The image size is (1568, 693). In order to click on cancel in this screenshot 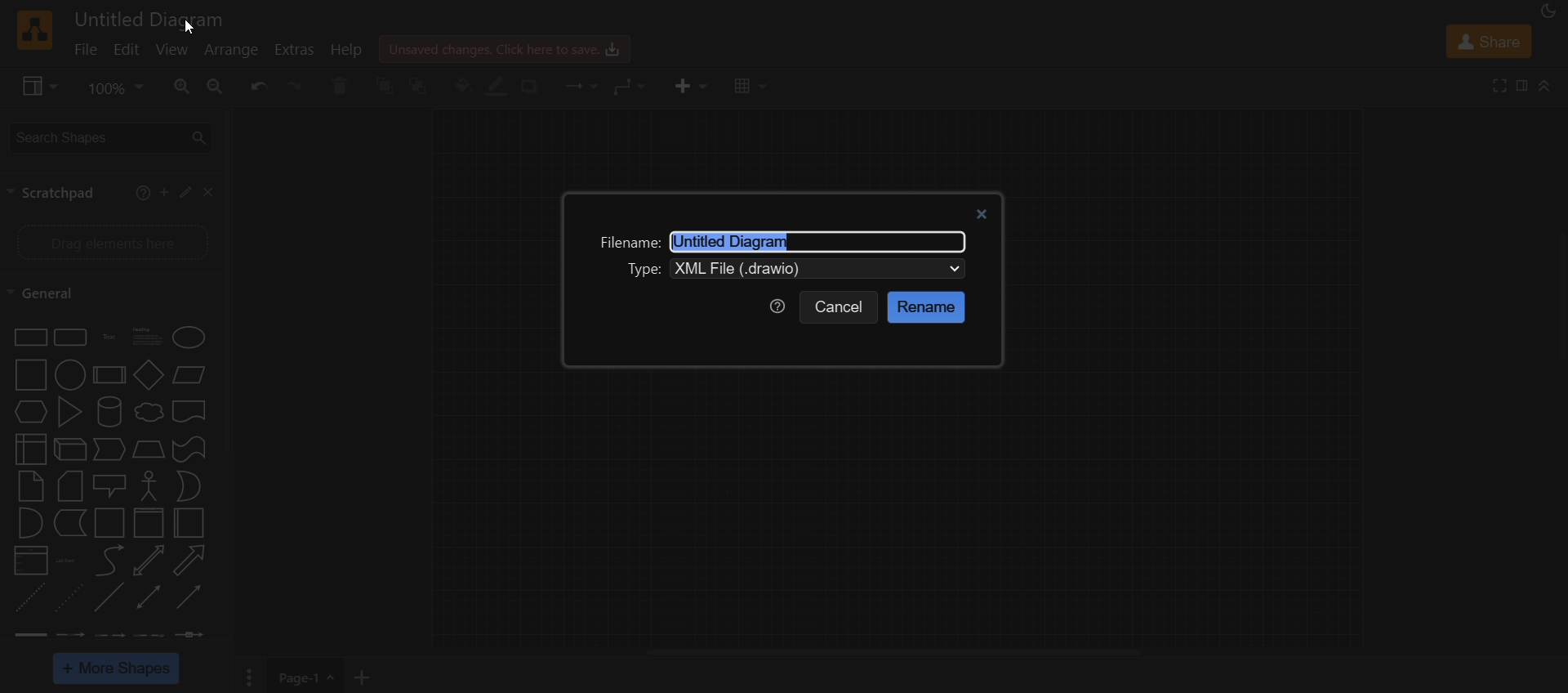, I will do `click(840, 308)`.